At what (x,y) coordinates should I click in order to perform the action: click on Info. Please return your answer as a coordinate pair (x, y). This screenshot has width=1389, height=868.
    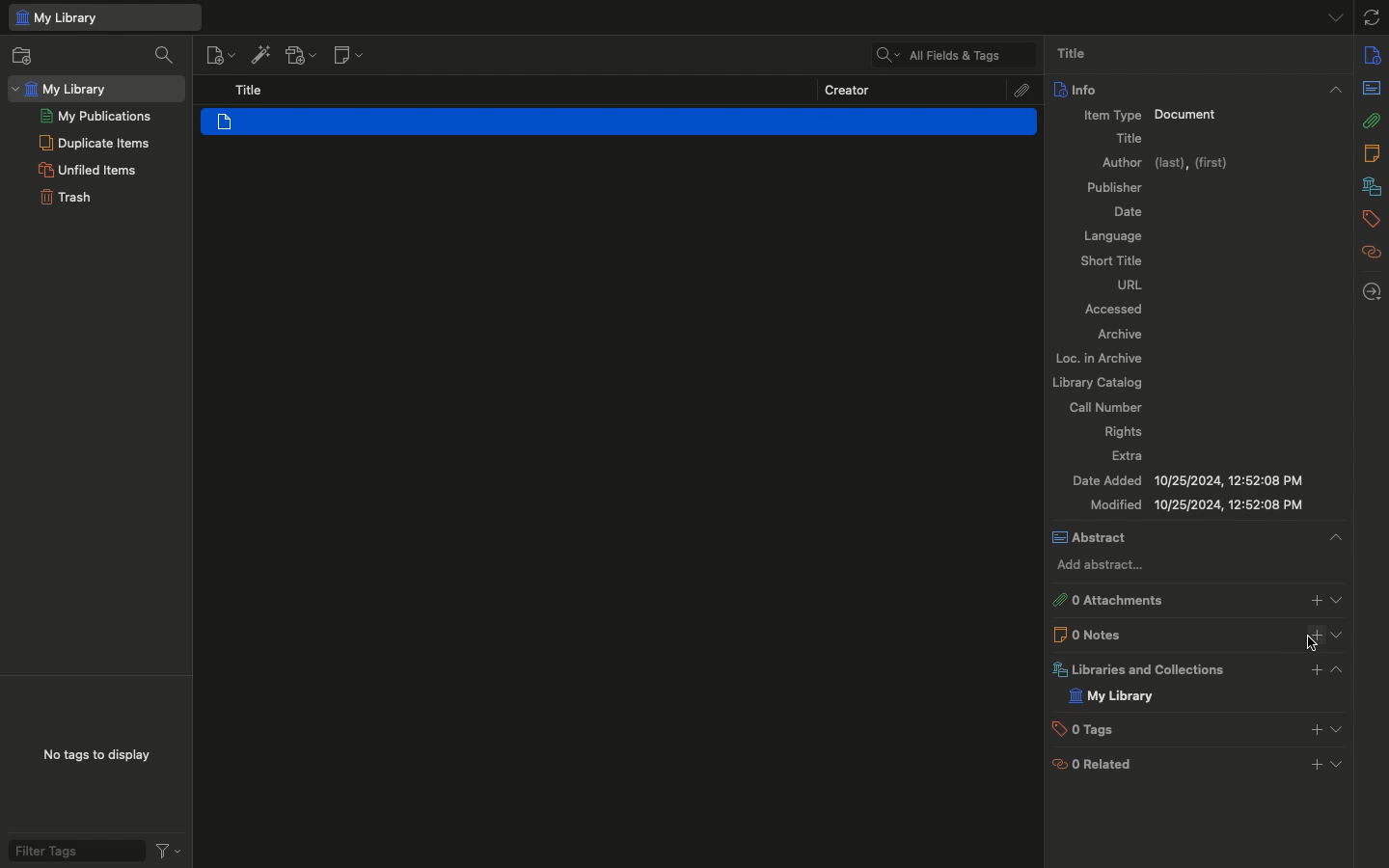
    Looking at the image, I should click on (1372, 54).